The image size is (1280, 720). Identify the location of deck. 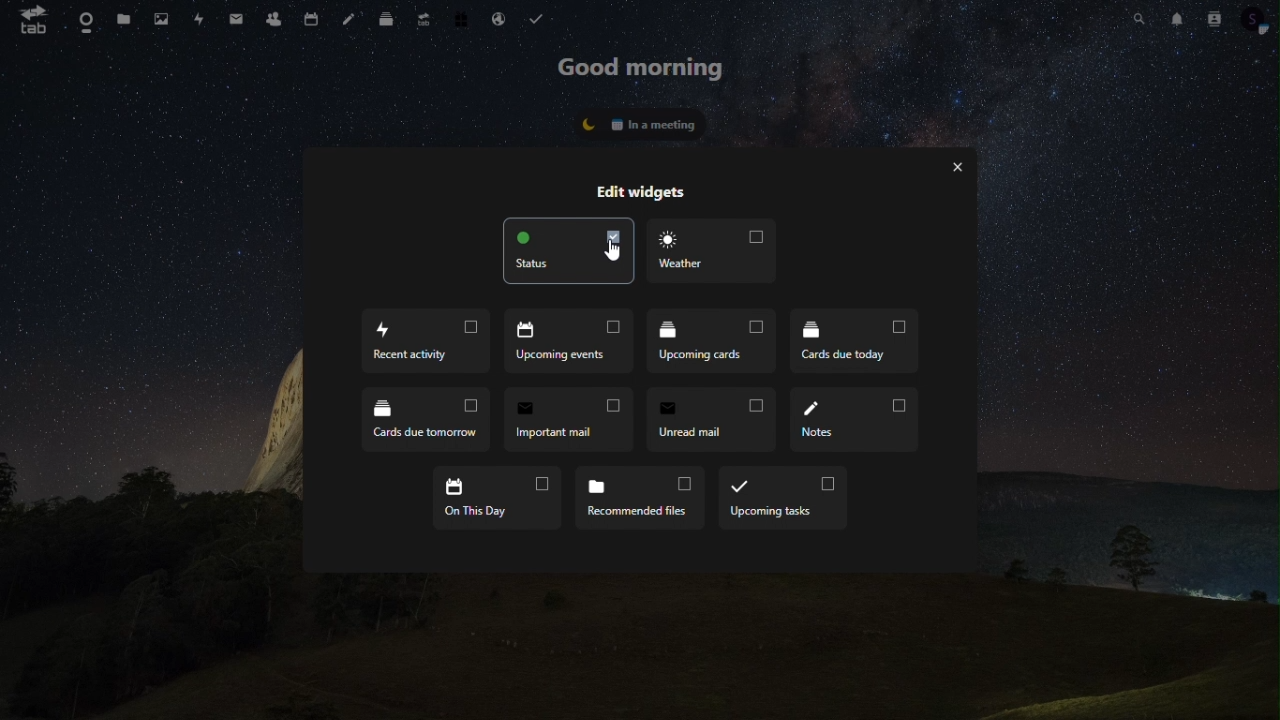
(385, 18).